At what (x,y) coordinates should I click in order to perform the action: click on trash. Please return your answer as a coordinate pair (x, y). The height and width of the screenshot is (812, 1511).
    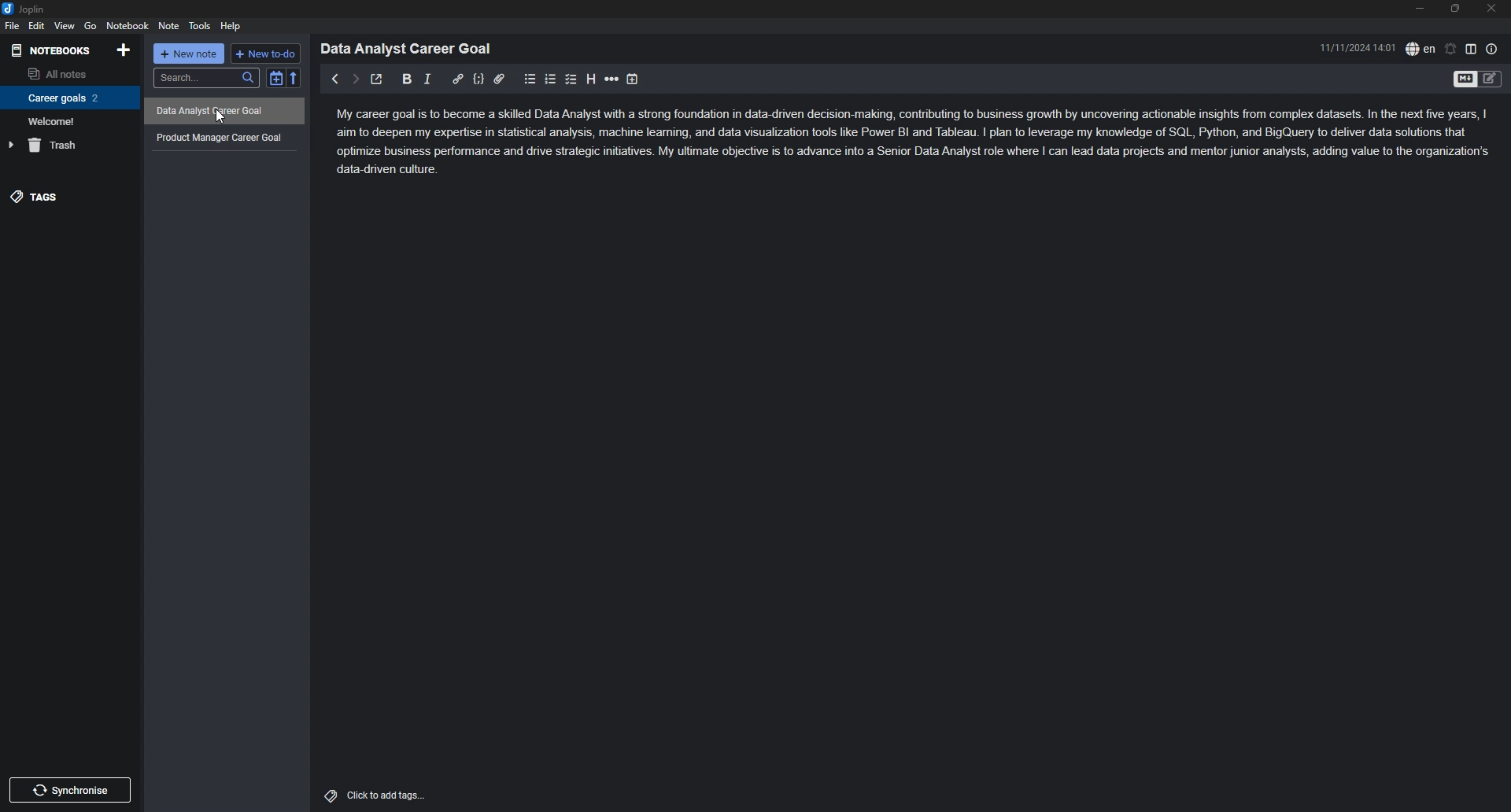
    Looking at the image, I should click on (68, 145).